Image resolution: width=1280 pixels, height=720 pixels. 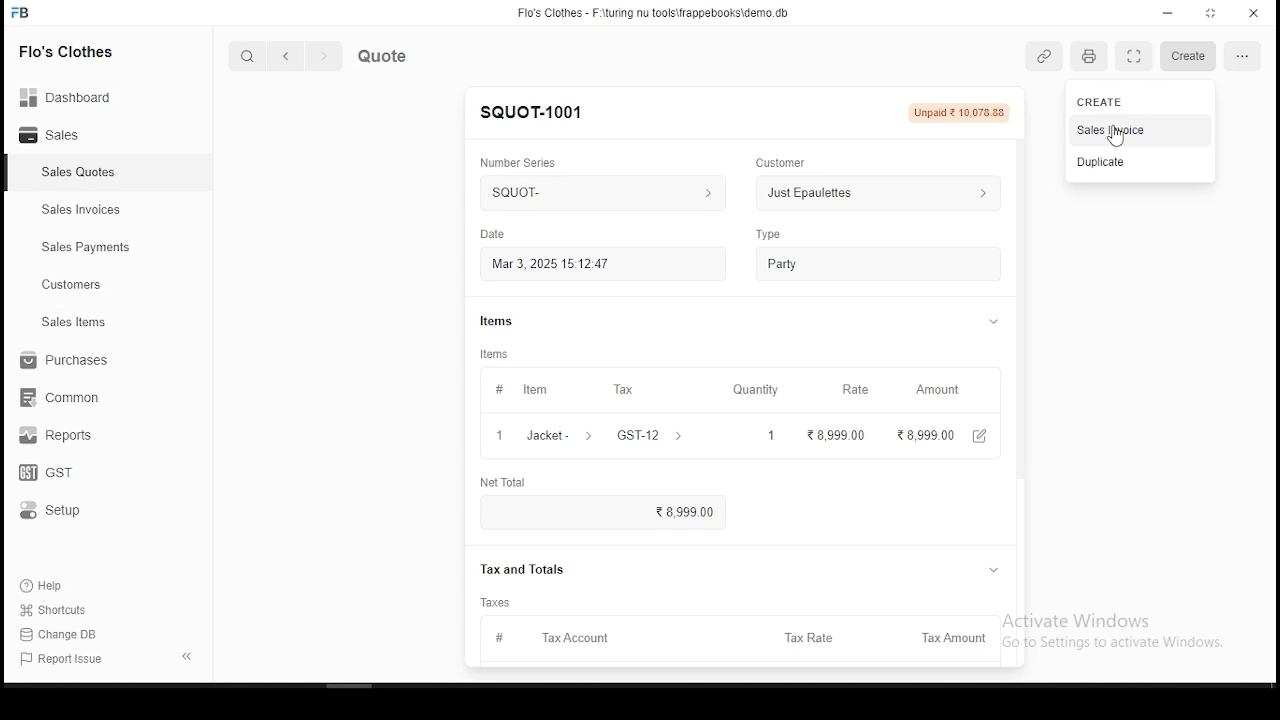 I want to click on report issues, so click(x=65, y=660).